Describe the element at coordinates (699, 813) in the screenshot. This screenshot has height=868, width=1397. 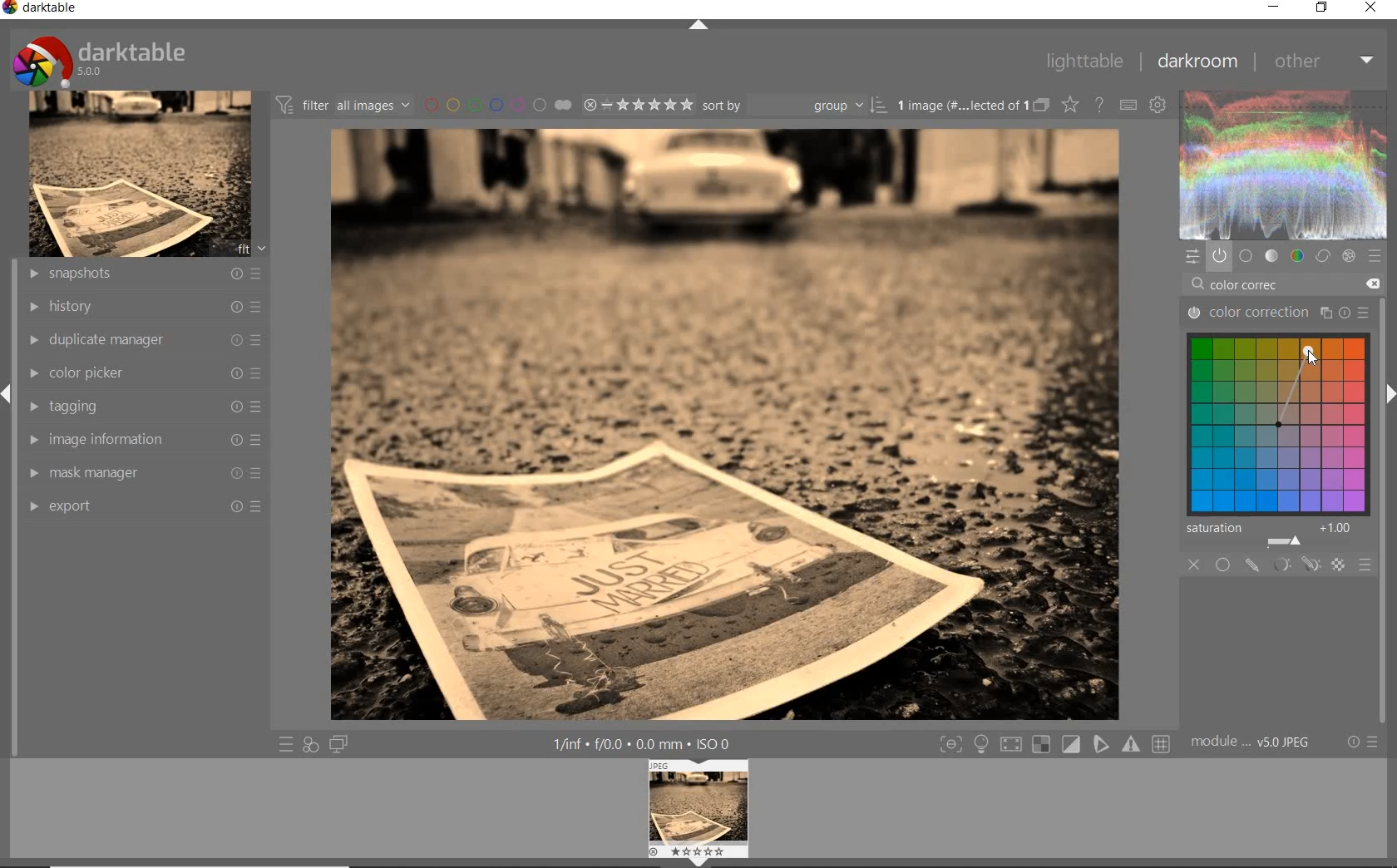
I see `image previe` at that location.